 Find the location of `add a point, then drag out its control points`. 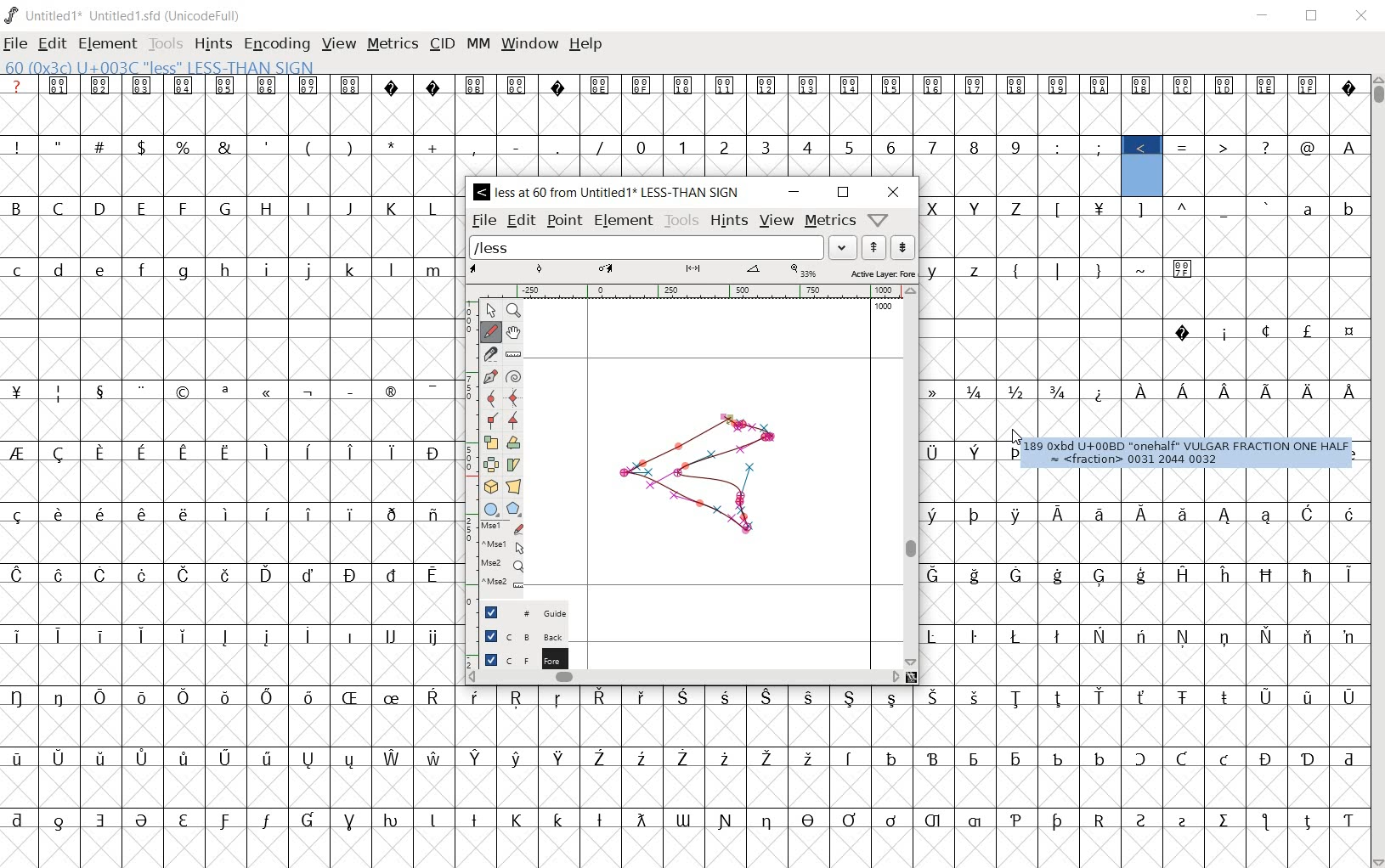

add a point, then drag out its control points is located at coordinates (491, 374).